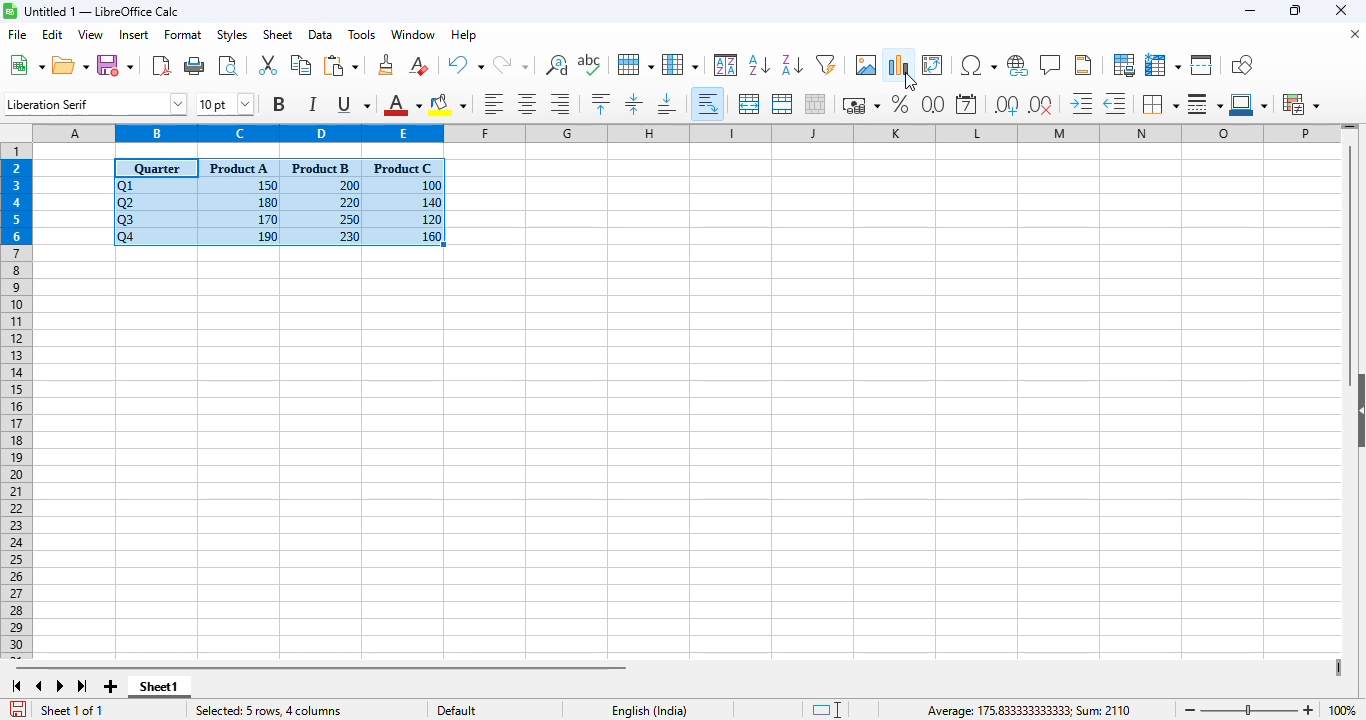  What do you see at coordinates (933, 65) in the screenshot?
I see `insert or edit pivot table` at bounding box center [933, 65].